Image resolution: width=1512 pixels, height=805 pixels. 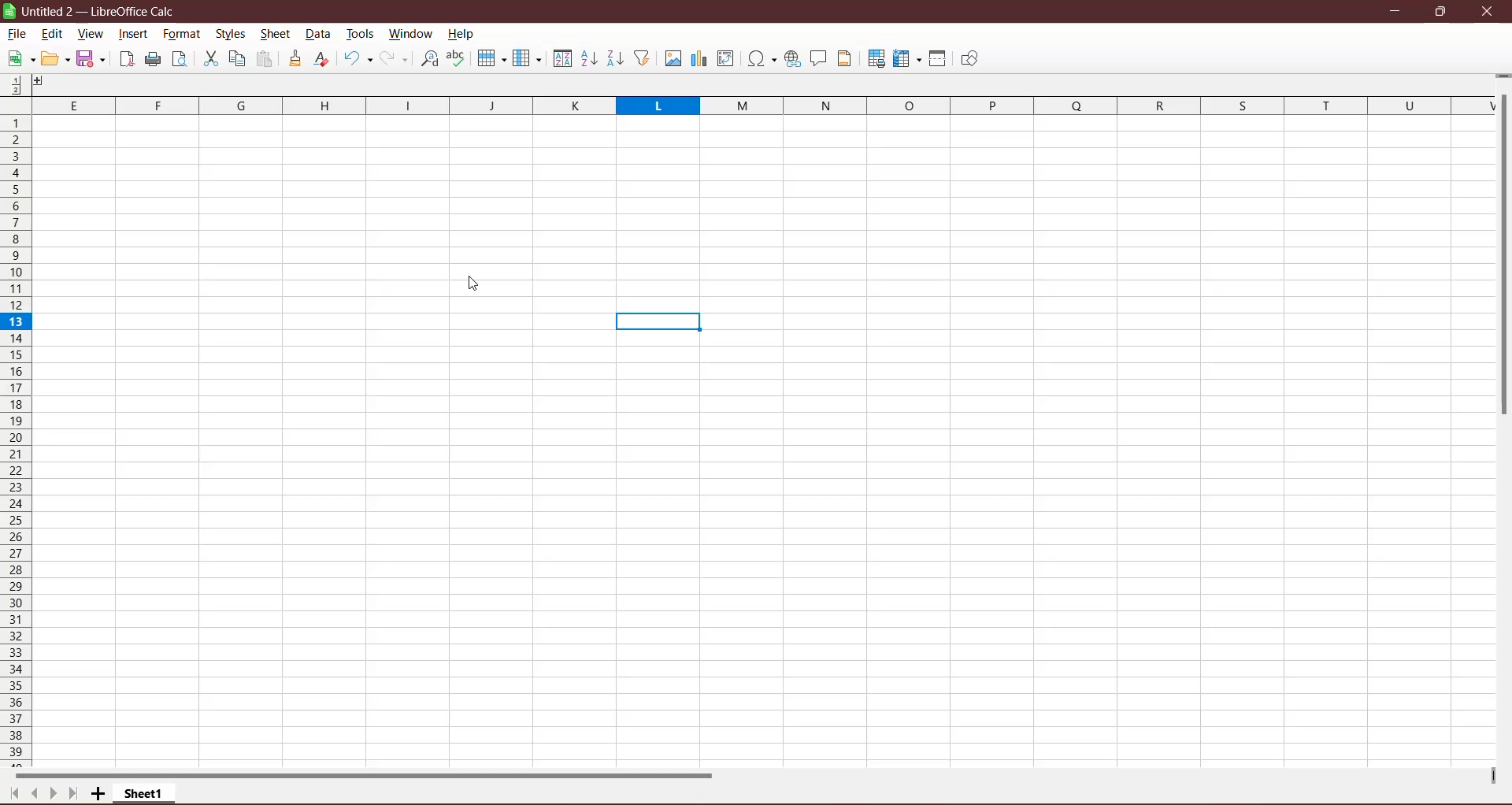 I want to click on View, so click(x=89, y=35).